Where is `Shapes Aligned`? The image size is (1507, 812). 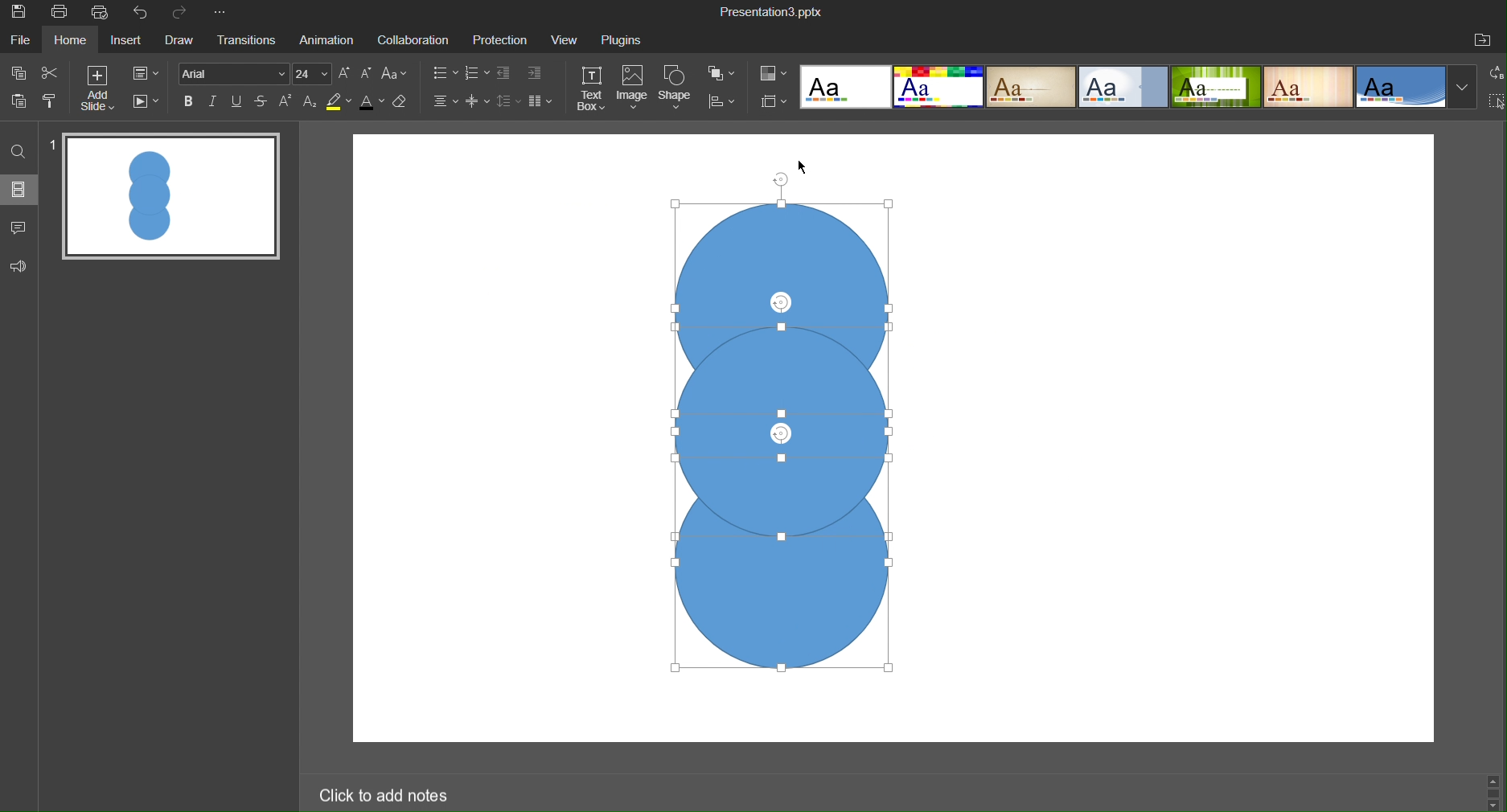 Shapes Aligned is located at coordinates (770, 431).